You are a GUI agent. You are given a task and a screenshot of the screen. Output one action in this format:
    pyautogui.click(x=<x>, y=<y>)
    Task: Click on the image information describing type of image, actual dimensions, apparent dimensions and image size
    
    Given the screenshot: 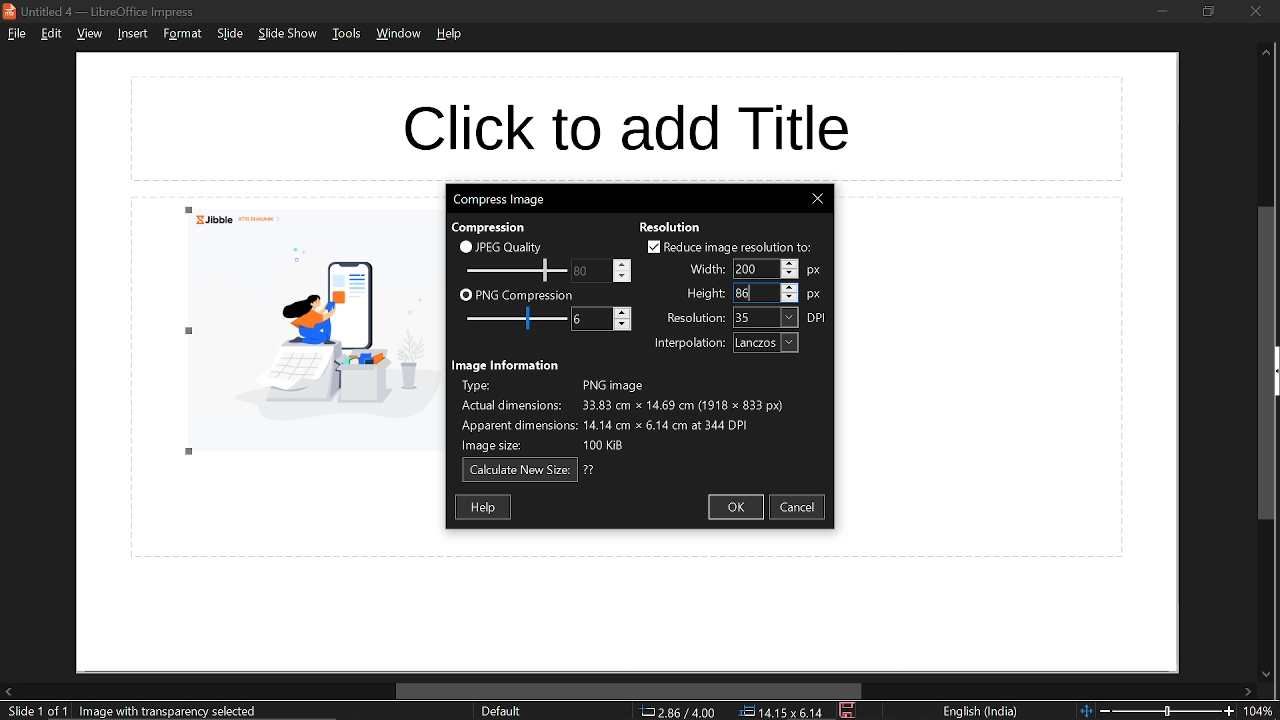 What is the action you would take?
    pyautogui.click(x=634, y=416)
    